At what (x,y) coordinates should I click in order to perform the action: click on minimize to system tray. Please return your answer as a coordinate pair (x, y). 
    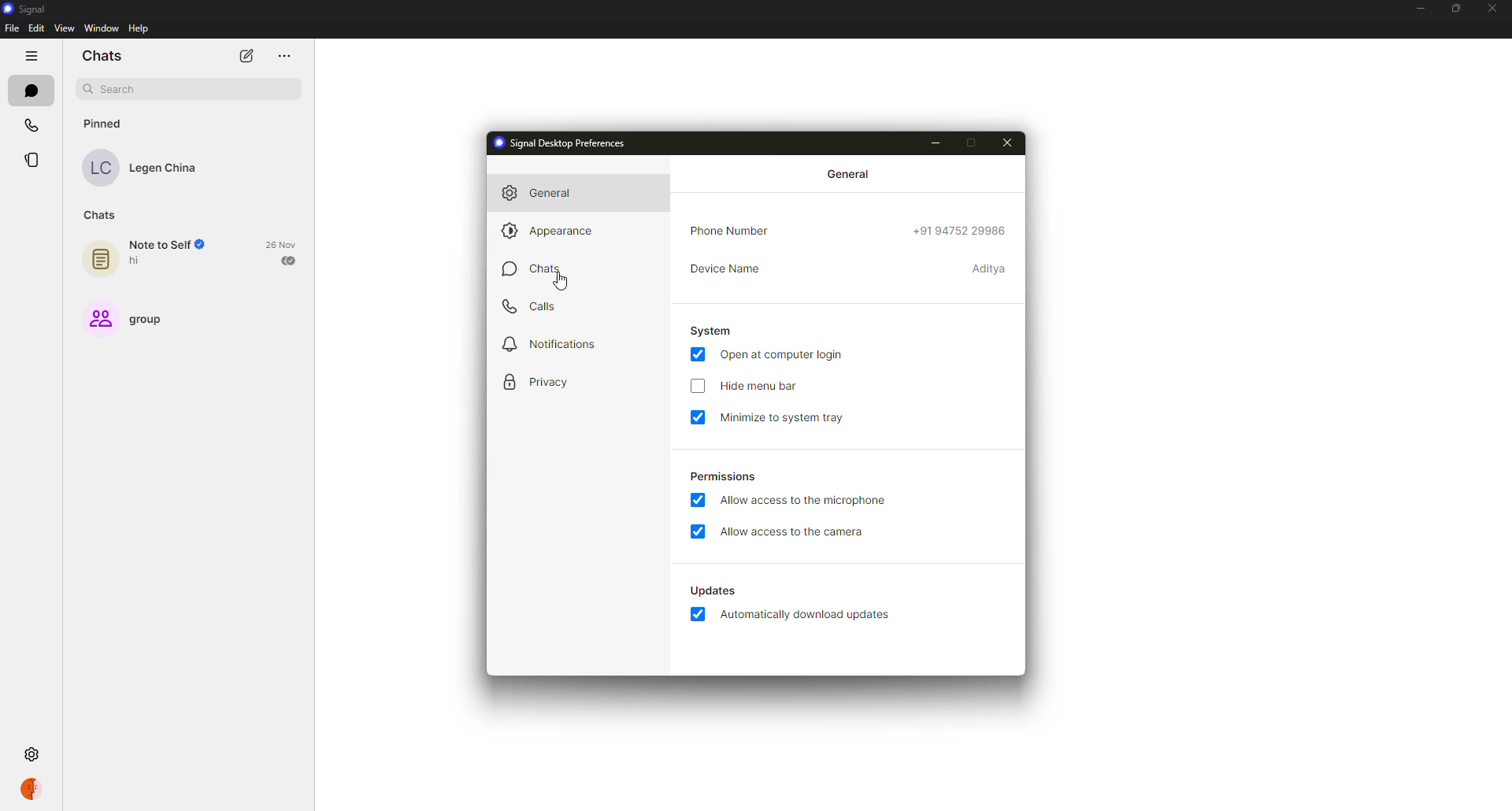
    Looking at the image, I should click on (782, 419).